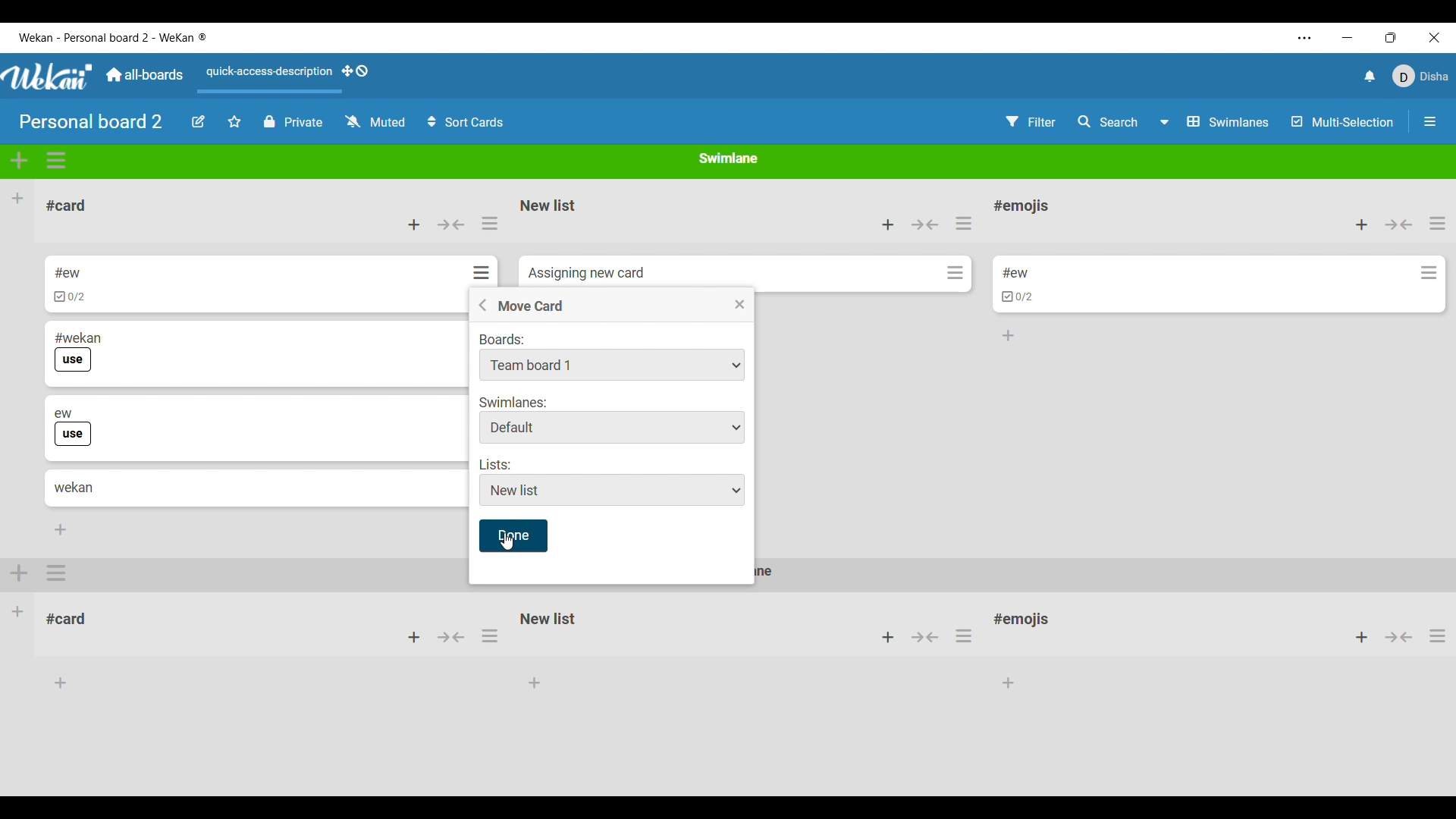 The width and height of the screenshot is (1456, 819). I want to click on Main dashboard, so click(143, 74).